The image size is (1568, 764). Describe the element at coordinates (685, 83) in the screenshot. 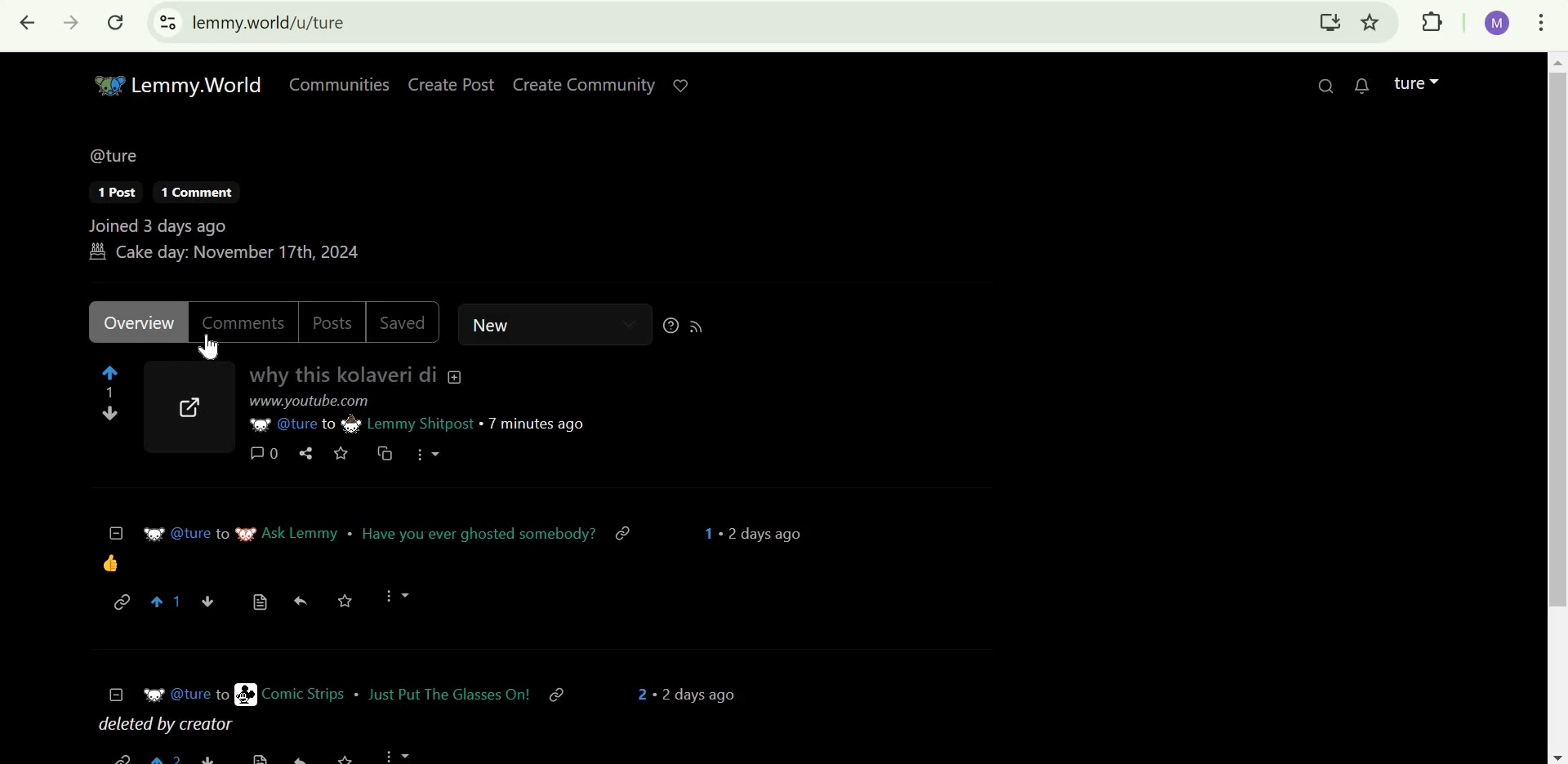

I see `support lemmy` at that location.